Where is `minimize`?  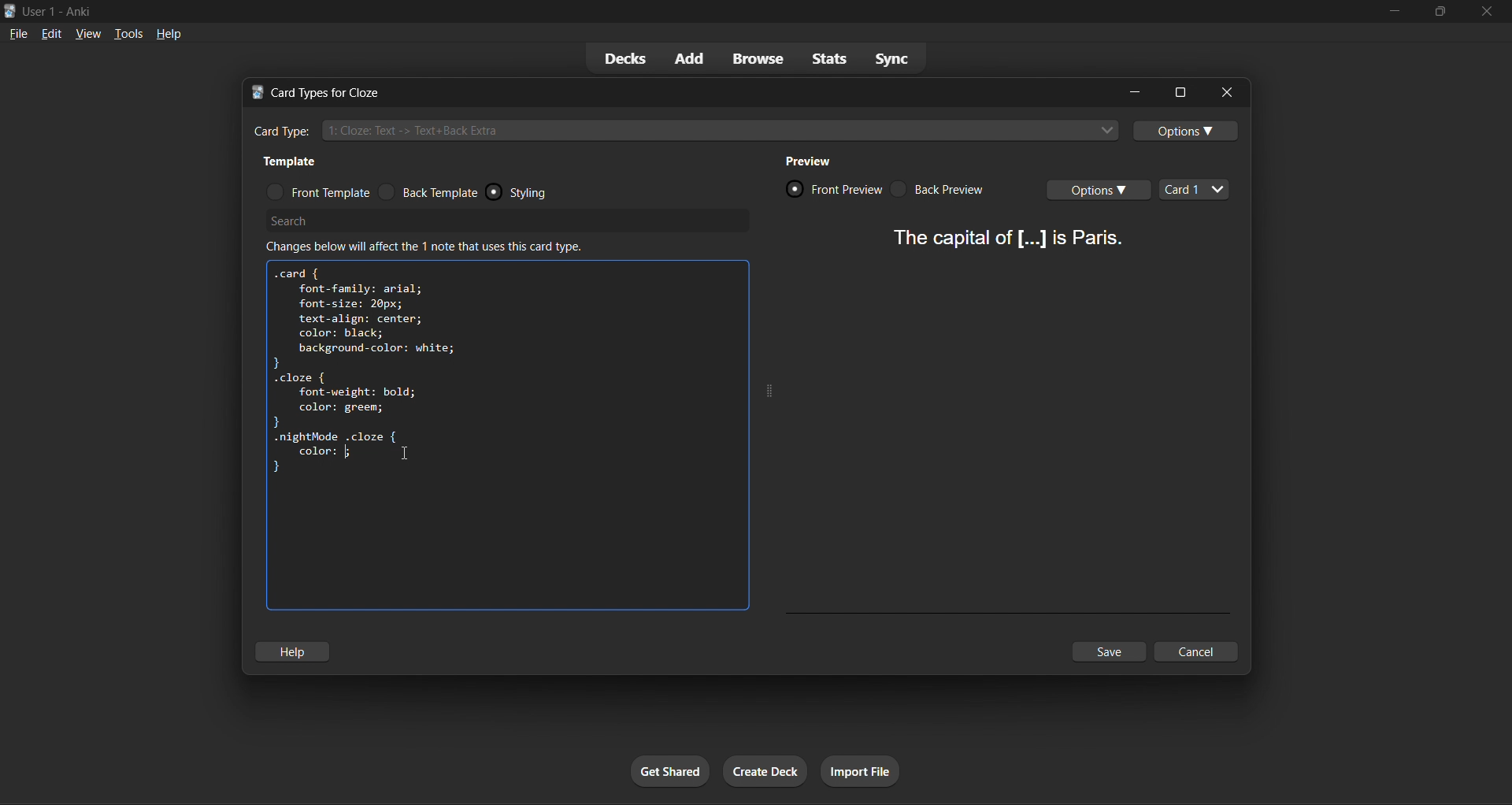
minimize is located at coordinates (1398, 12).